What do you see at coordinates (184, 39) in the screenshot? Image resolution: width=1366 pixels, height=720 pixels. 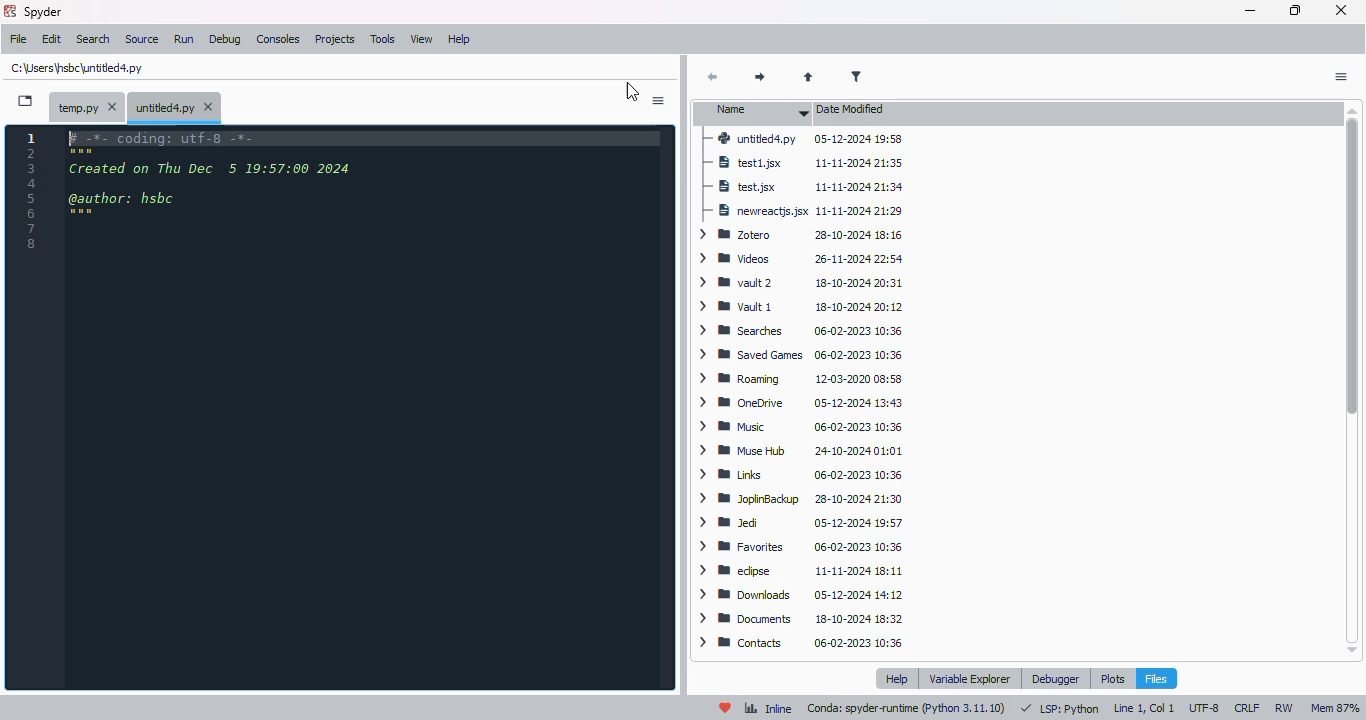 I see `run` at bounding box center [184, 39].